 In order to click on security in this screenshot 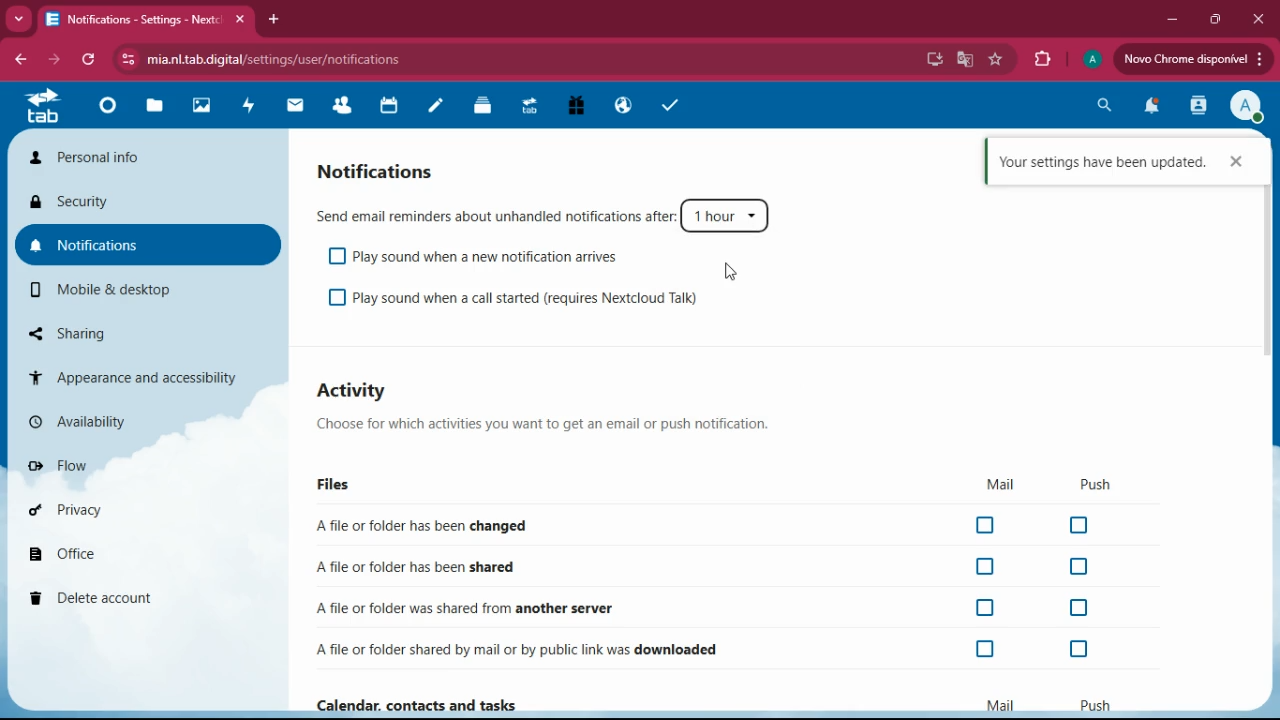, I will do `click(145, 204)`.